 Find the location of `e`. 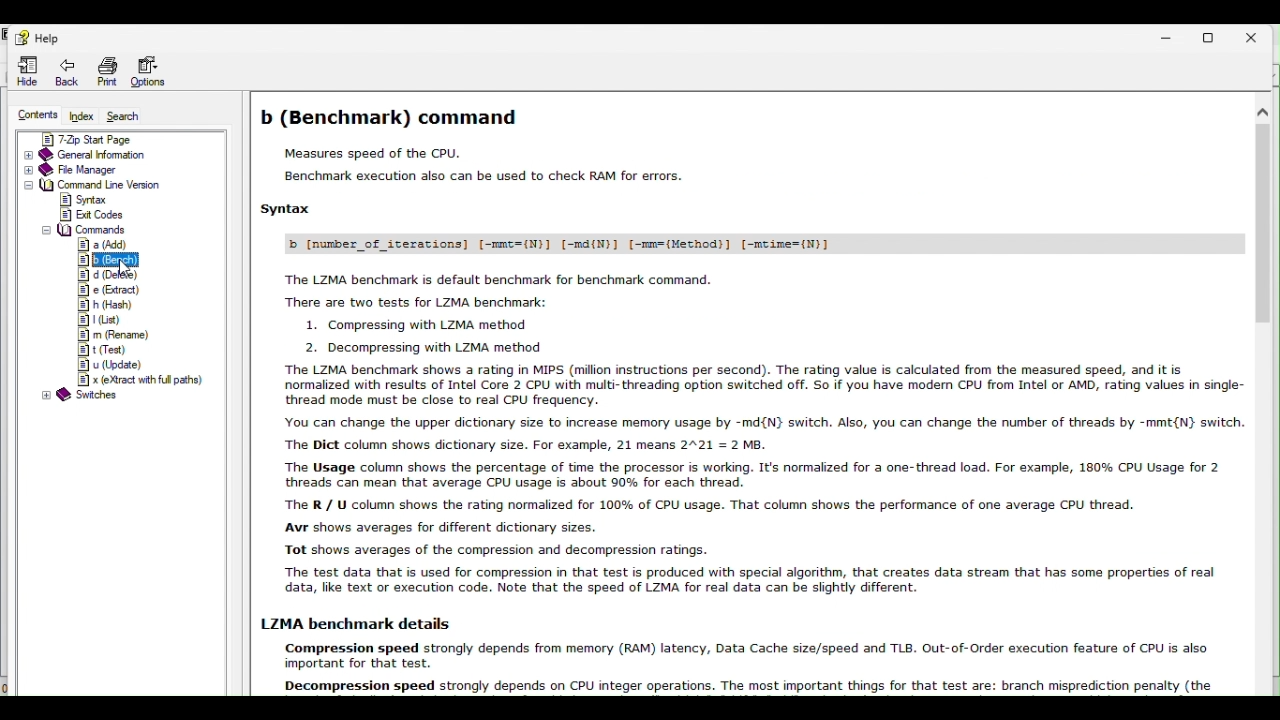

e is located at coordinates (108, 290).